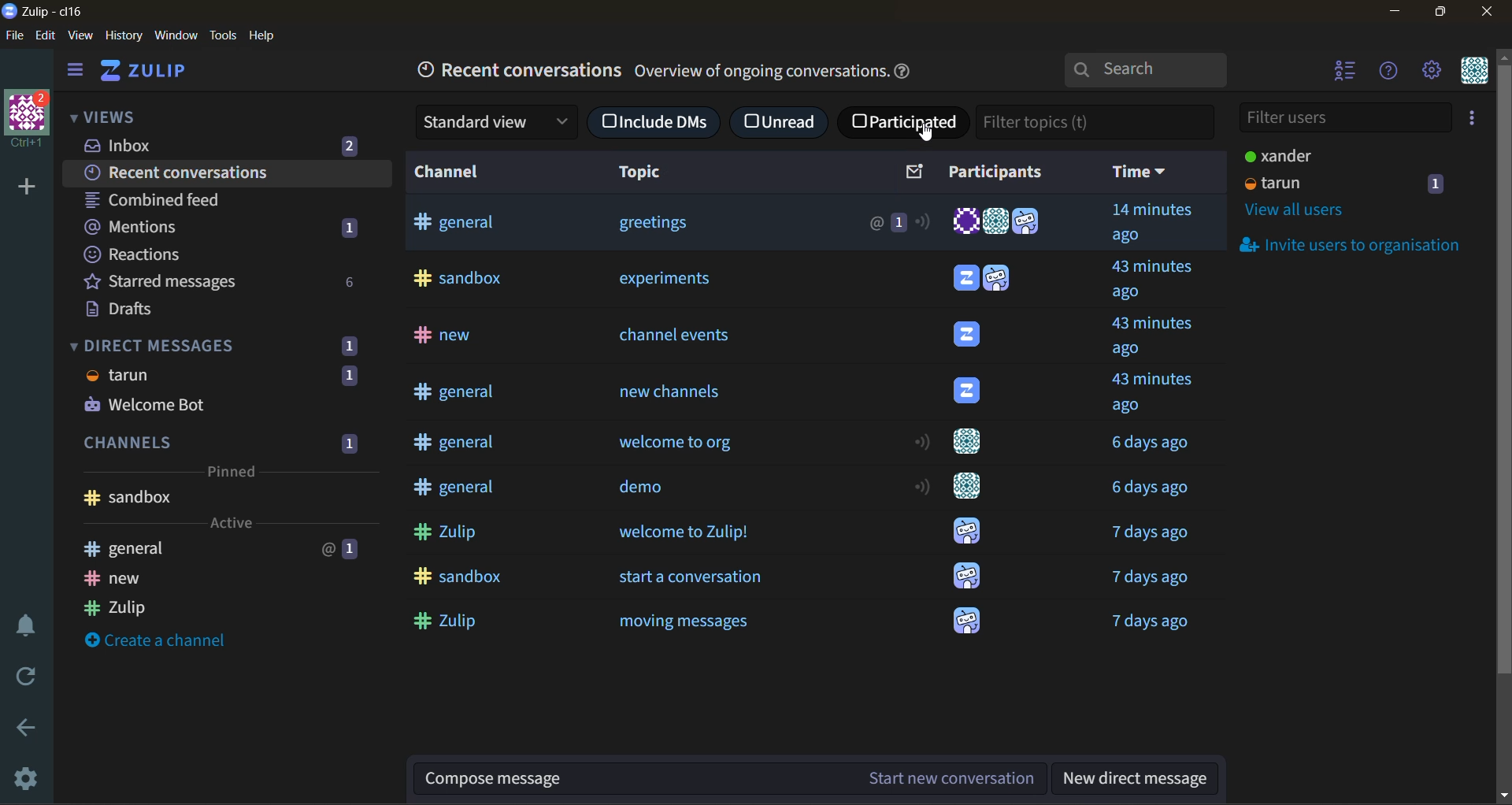 Image resolution: width=1512 pixels, height=805 pixels. What do you see at coordinates (784, 123) in the screenshot?
I see `unread` at bounding box center [784, 123].